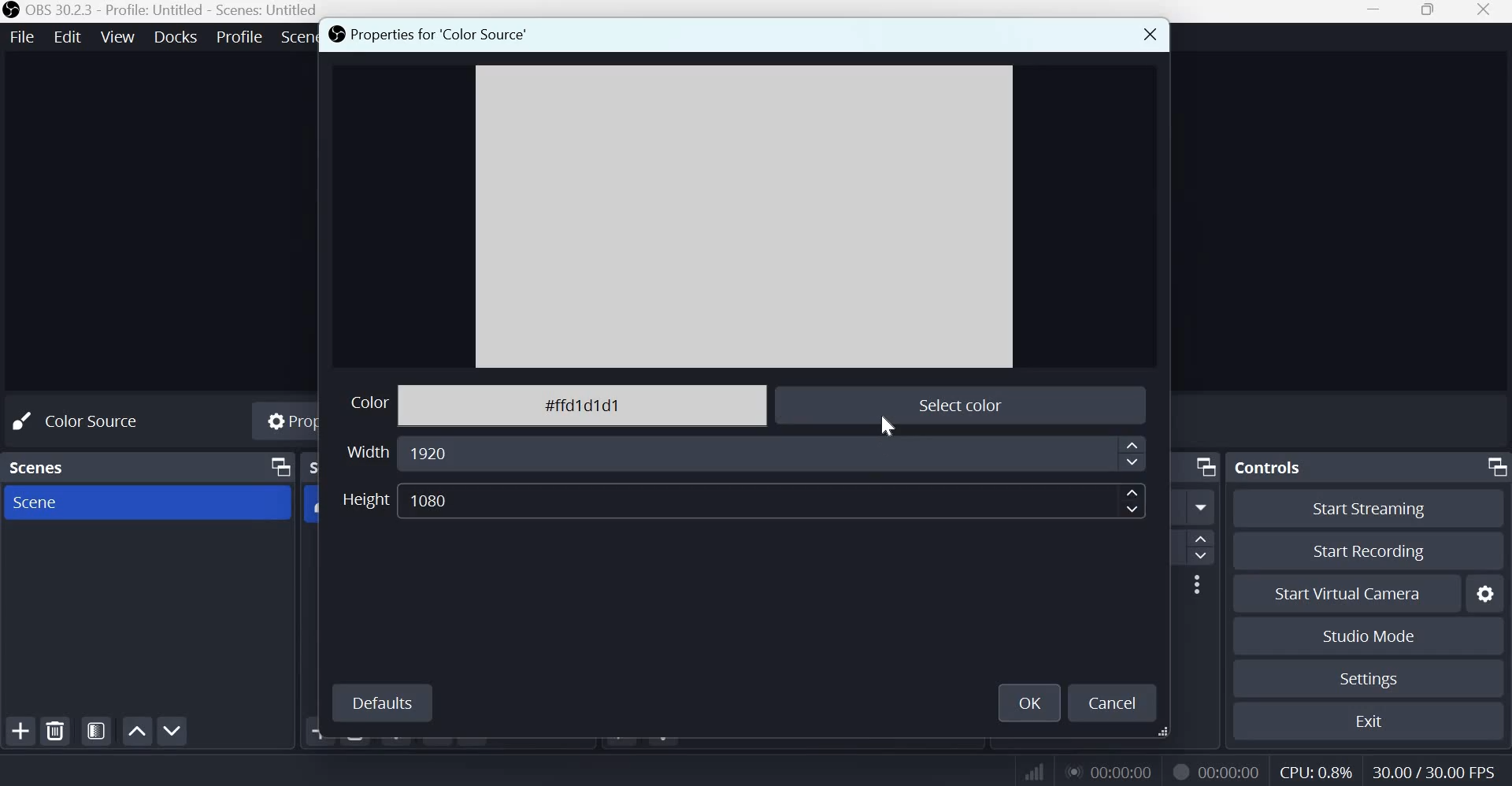 This screenshot has height=786, width=1512. I want to click on Scene, so click(35, 502).